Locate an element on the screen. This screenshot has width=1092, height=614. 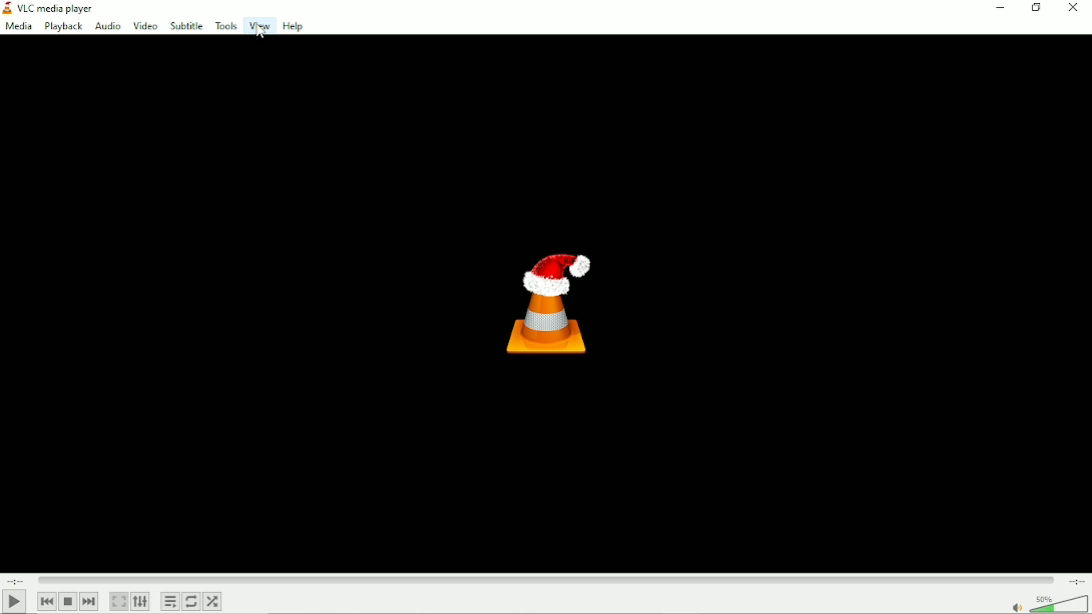
View is located at coordinates (259, 26).